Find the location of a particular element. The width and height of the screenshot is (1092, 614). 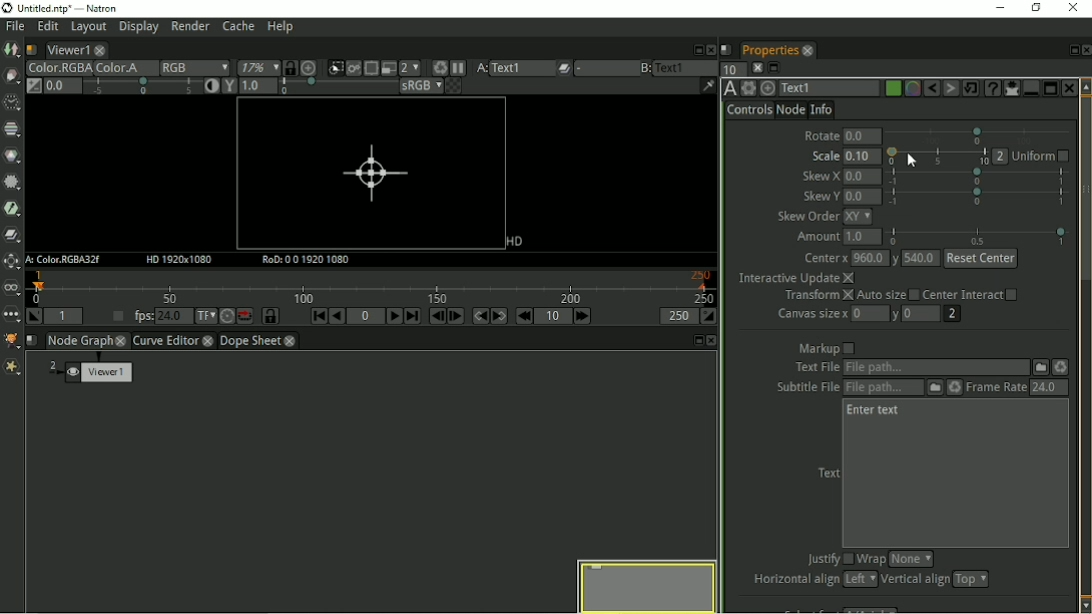

Enter text is located at coordinates (876, 412).